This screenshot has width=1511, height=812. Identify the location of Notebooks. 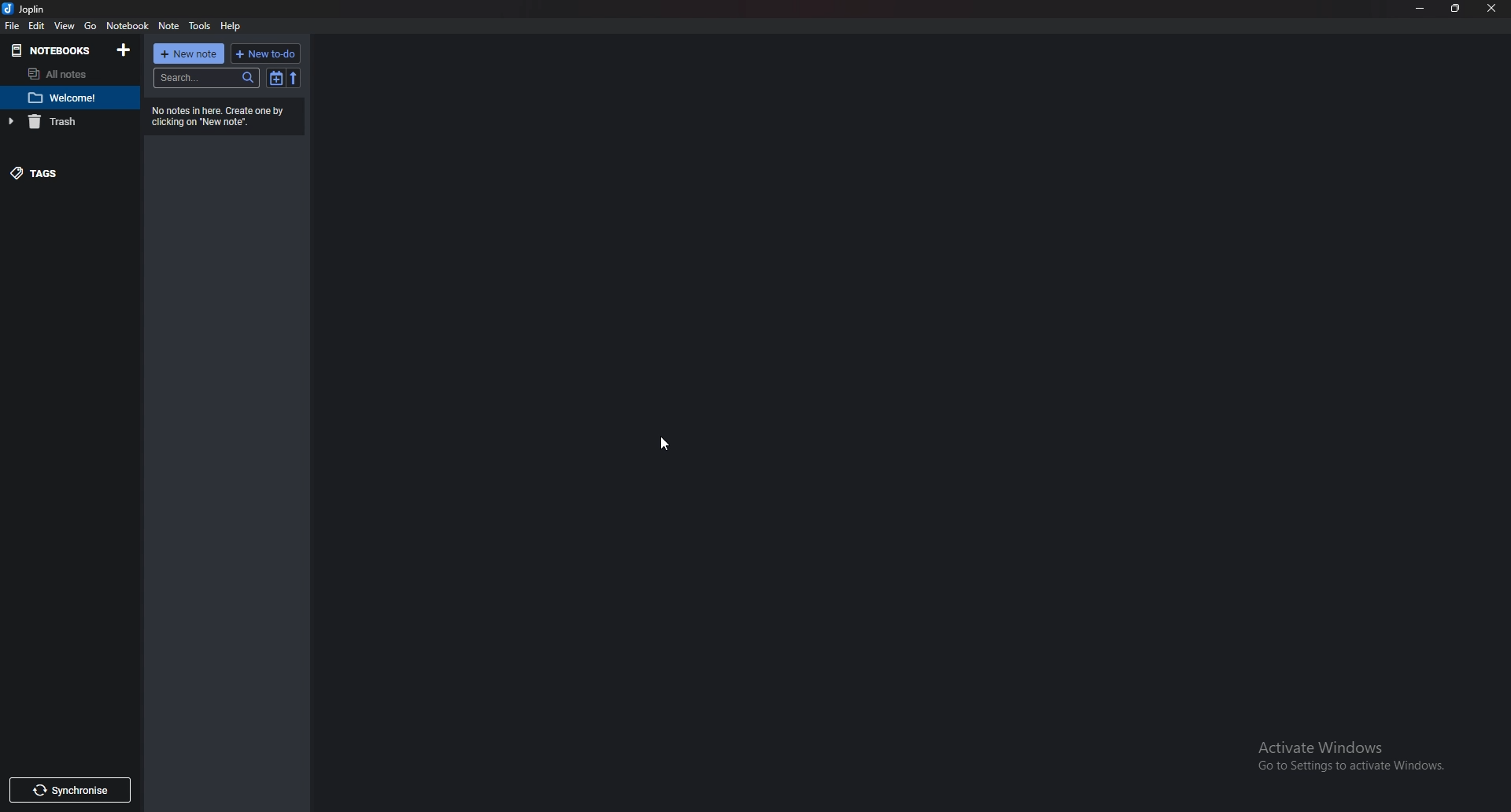
(53, 50).